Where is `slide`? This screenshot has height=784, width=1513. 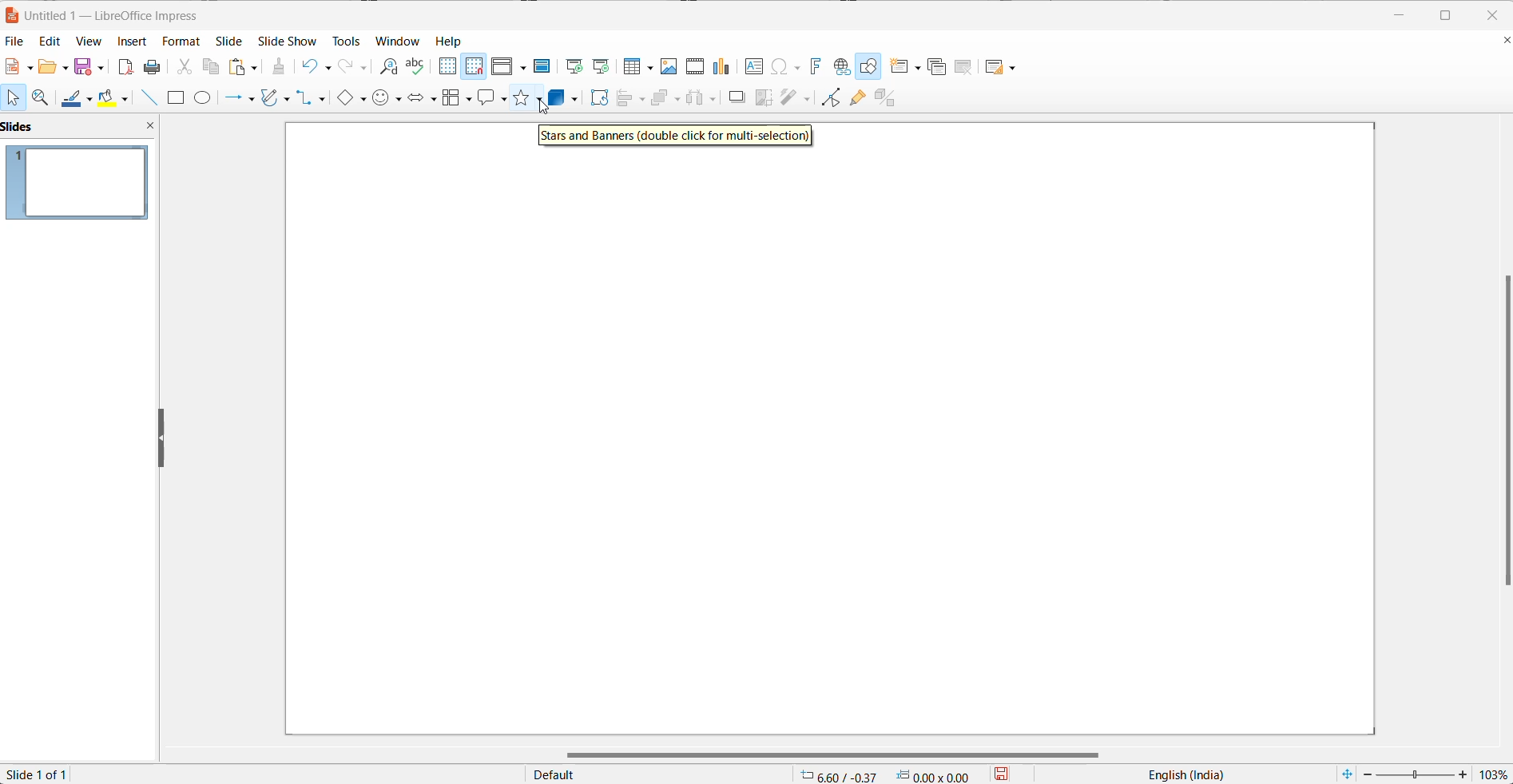 slide is located at coordinates (234, 40).